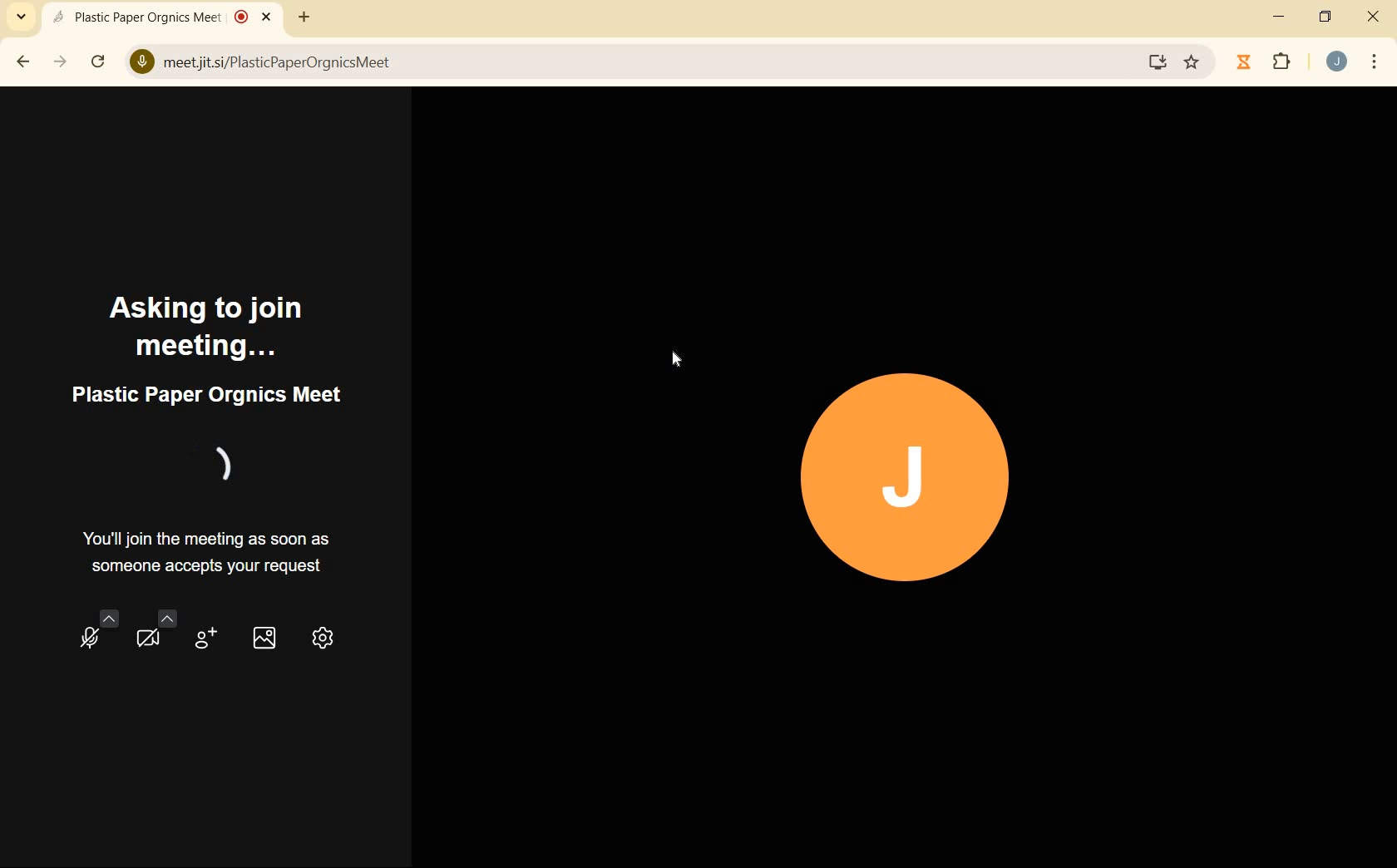 This screenshot has width=1397, height=868. What do you see at coordinates (62, 62) in the screenshot?
I see `forward` at bounding box center [62, 62].